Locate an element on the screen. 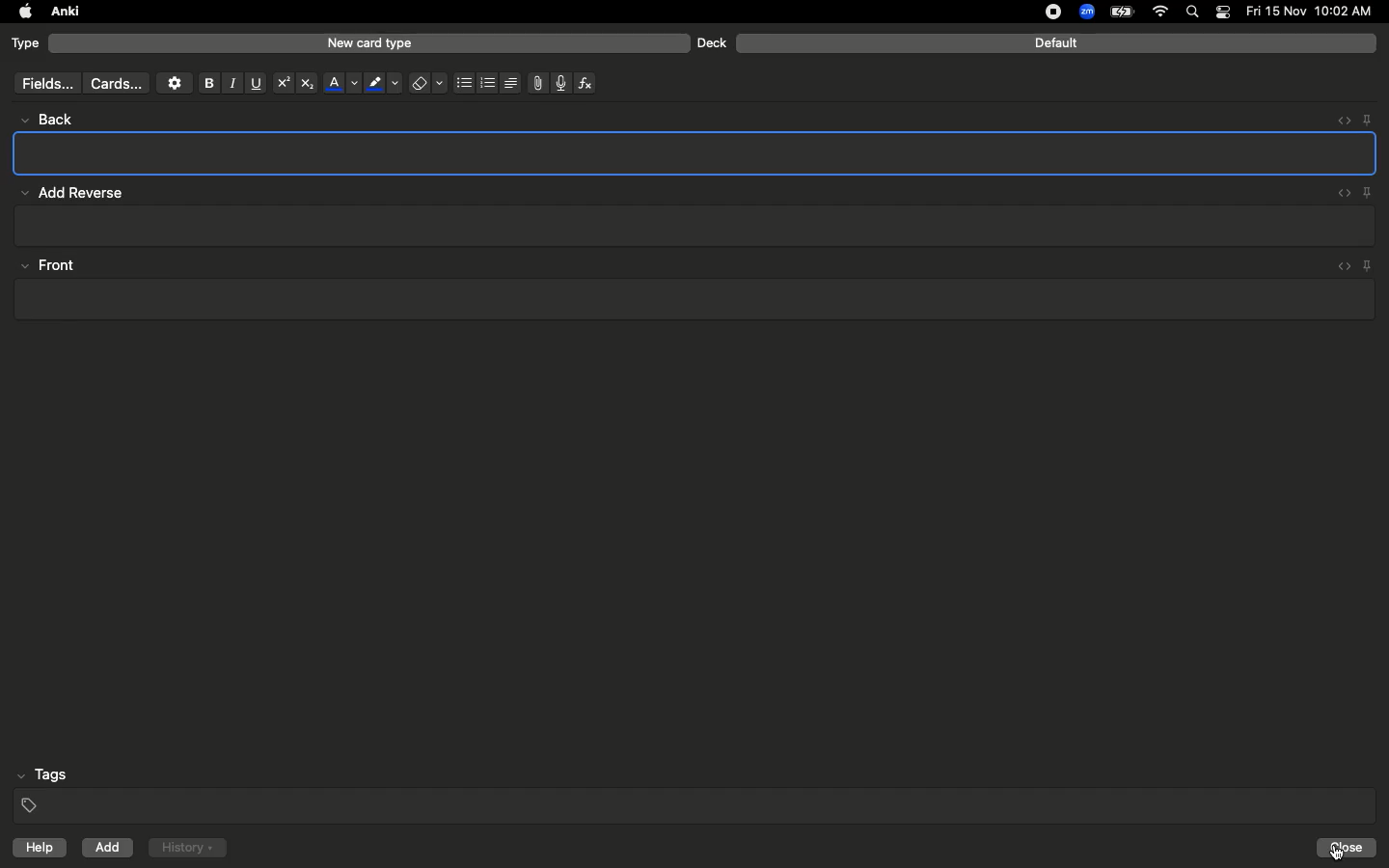  Anki is located at coordinates (64, 13).